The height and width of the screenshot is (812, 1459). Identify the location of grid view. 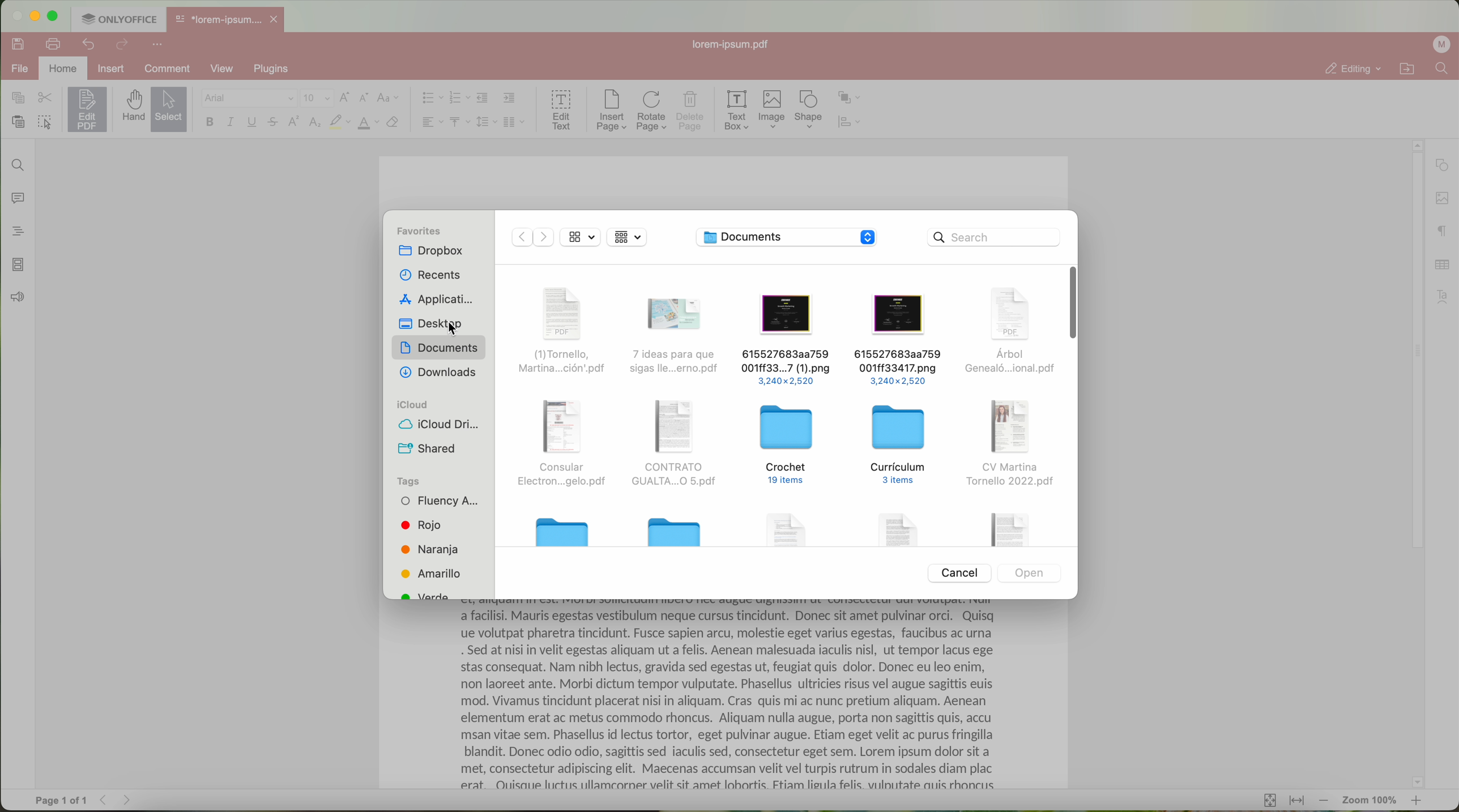
(629, 237).